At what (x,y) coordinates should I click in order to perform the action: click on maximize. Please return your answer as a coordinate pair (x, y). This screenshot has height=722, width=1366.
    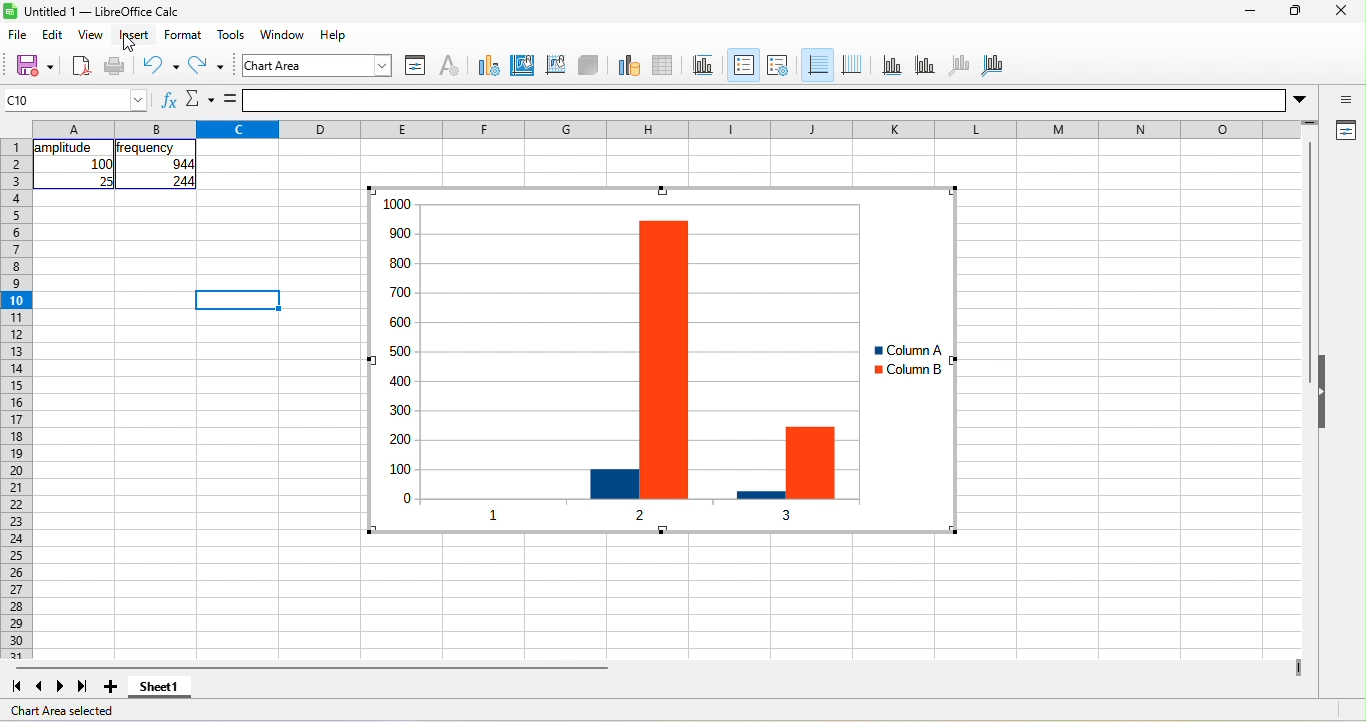
    Looking at the image, I should click on (1292, 13).